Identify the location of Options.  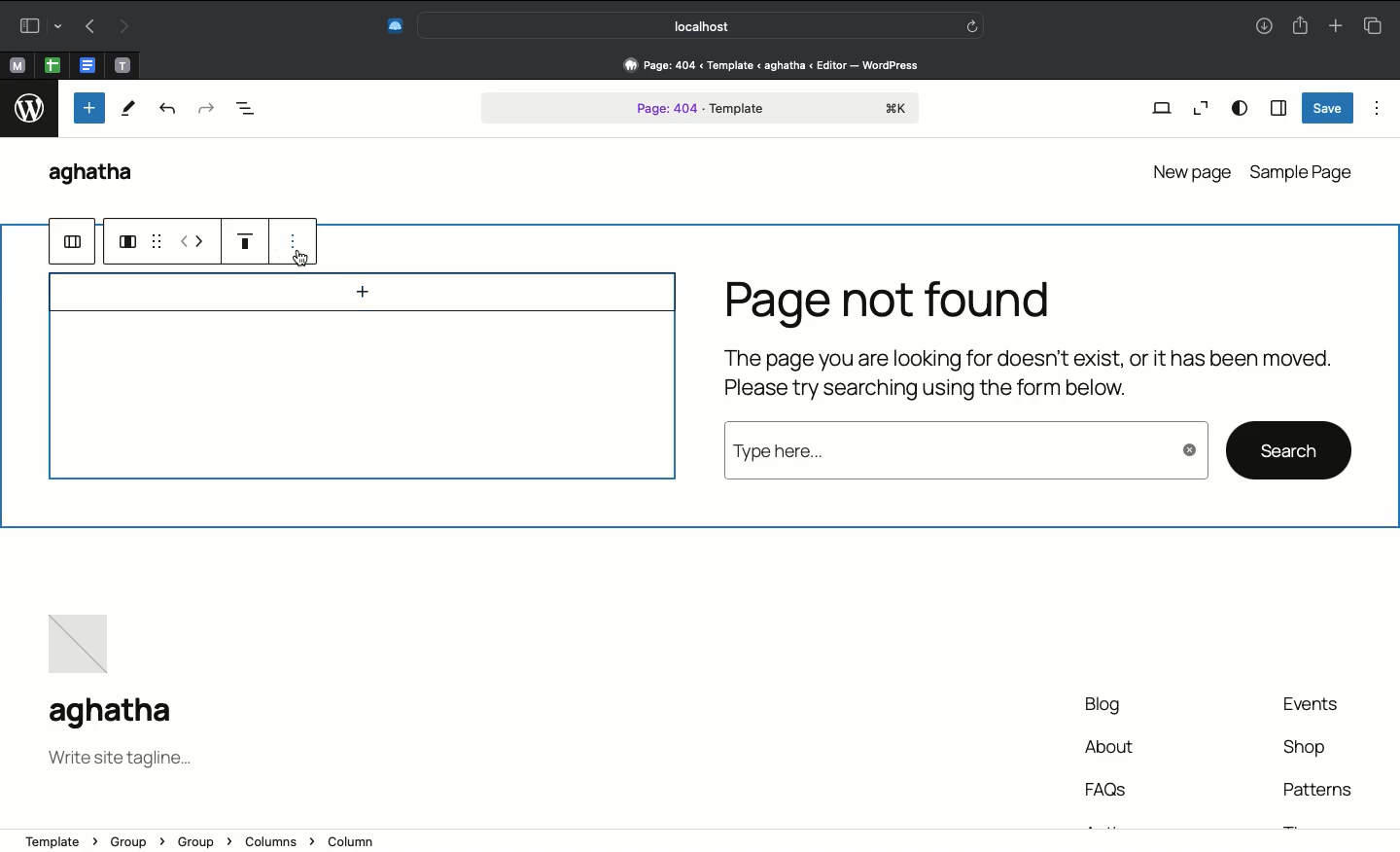
(1378, 108).